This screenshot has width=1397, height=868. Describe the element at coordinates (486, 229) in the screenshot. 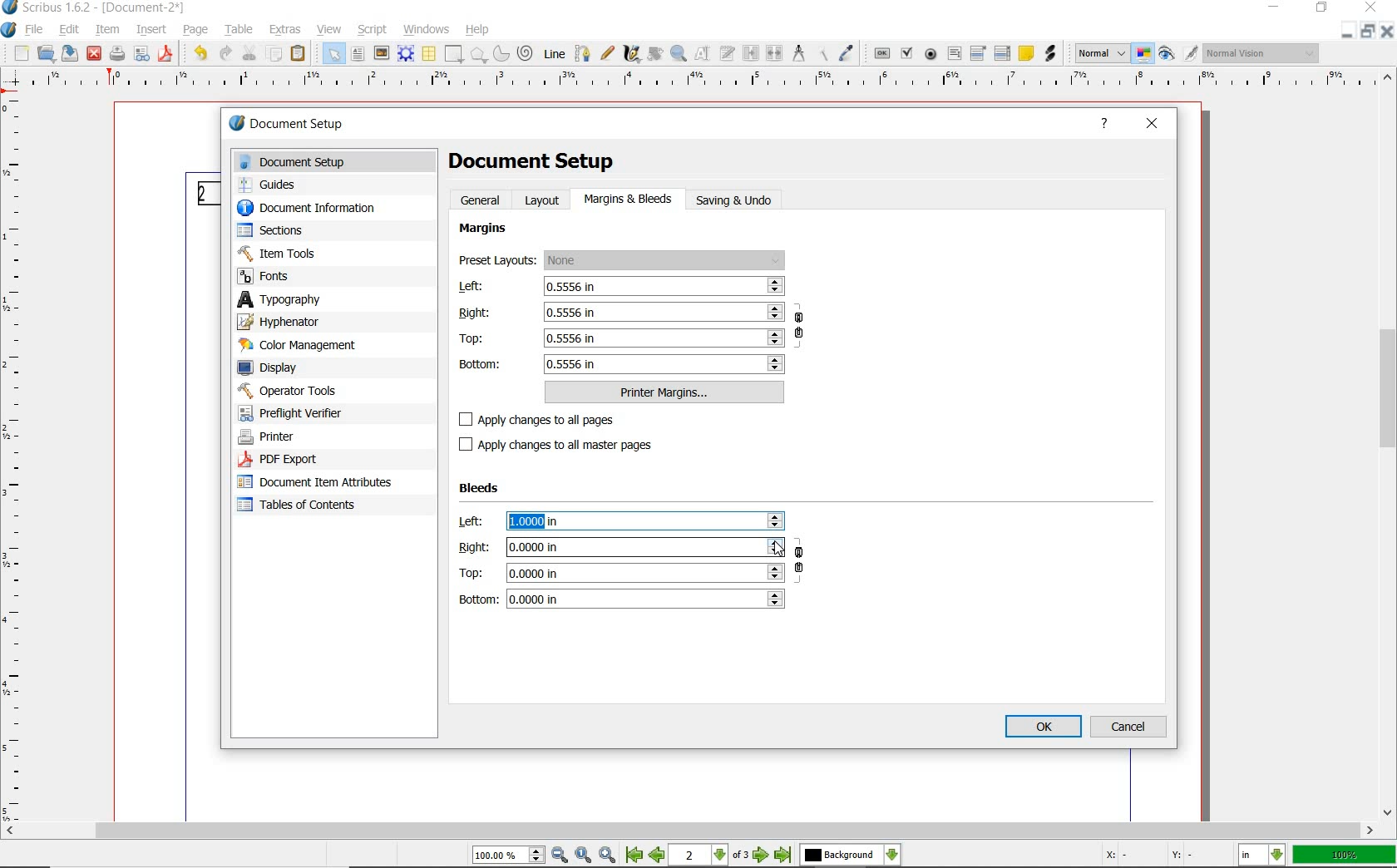

I see `margins` at that location.